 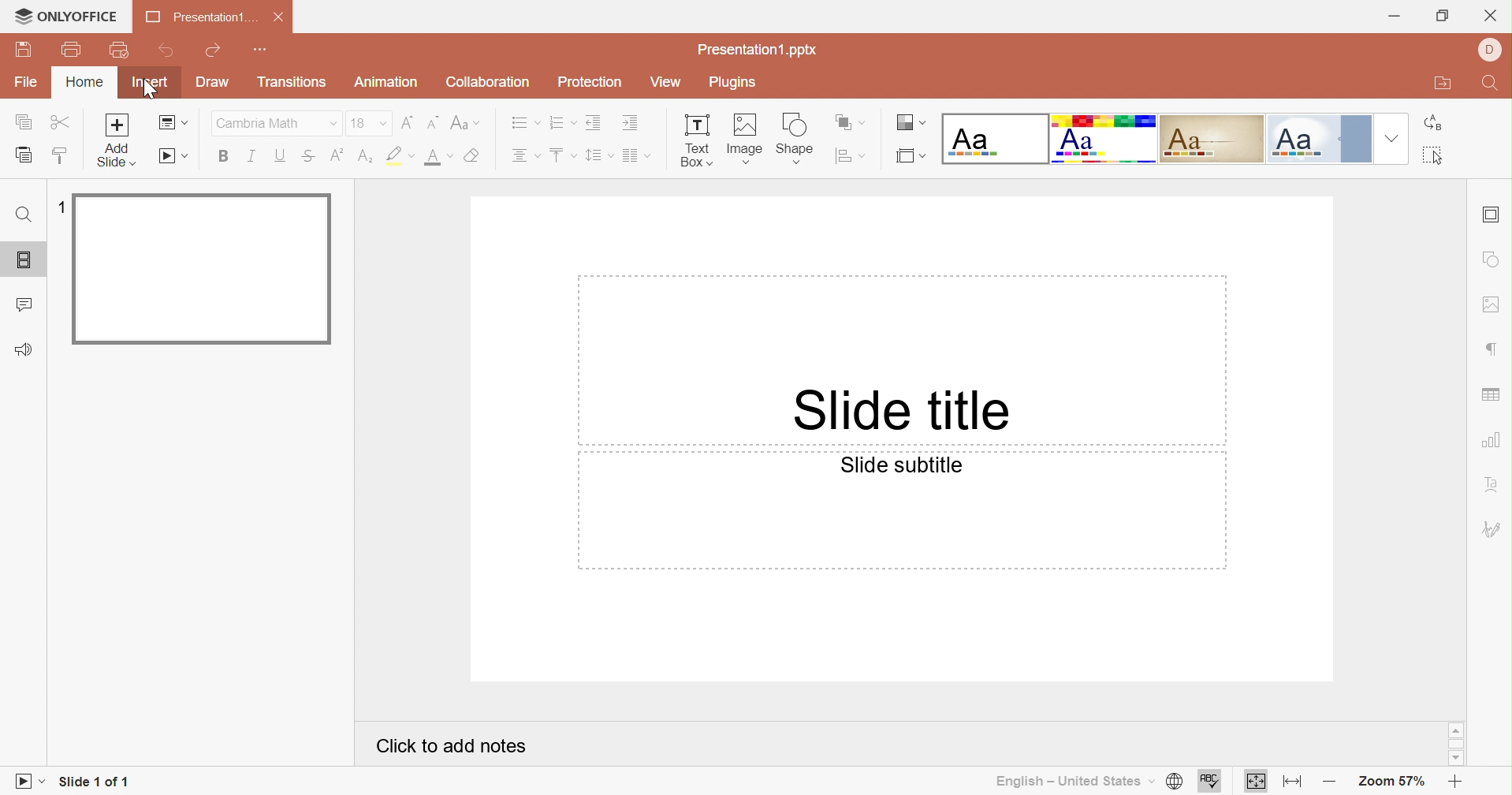 I want to click on Print, so click(x=73, y=52).